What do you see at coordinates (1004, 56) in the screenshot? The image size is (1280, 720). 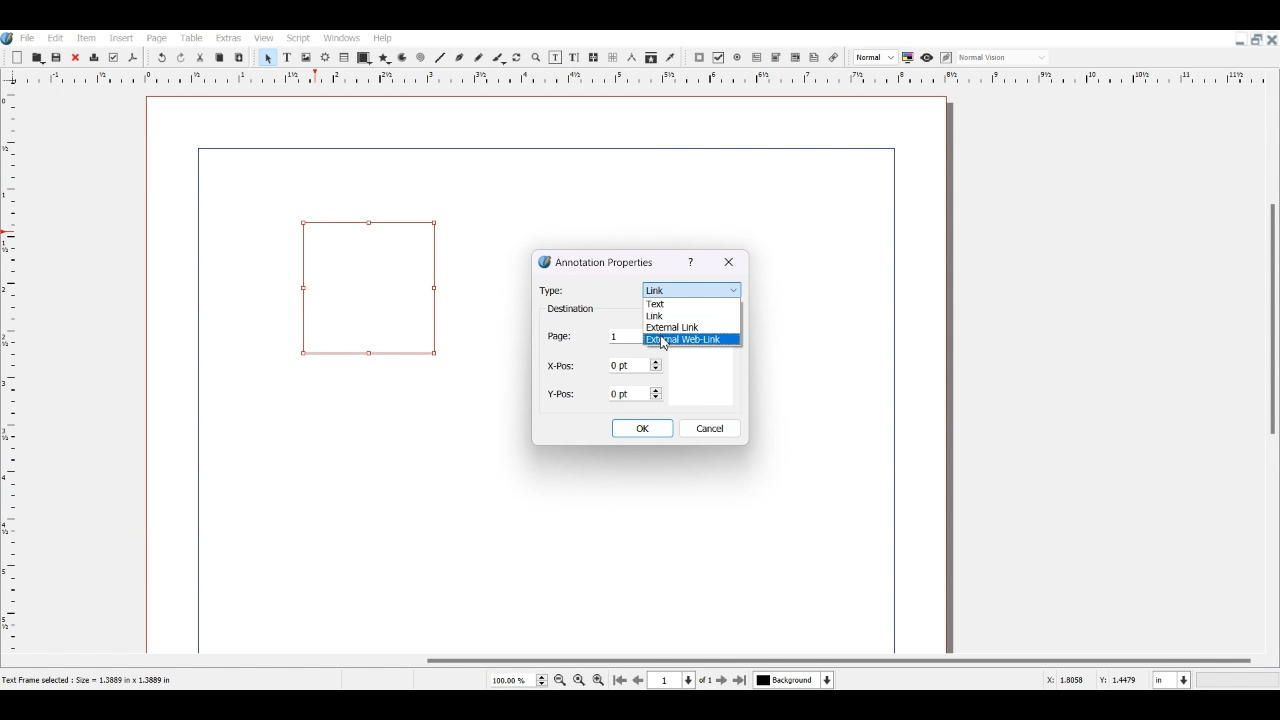 I see `Select the visual appearance on display` at bounding box center [1004, 56].